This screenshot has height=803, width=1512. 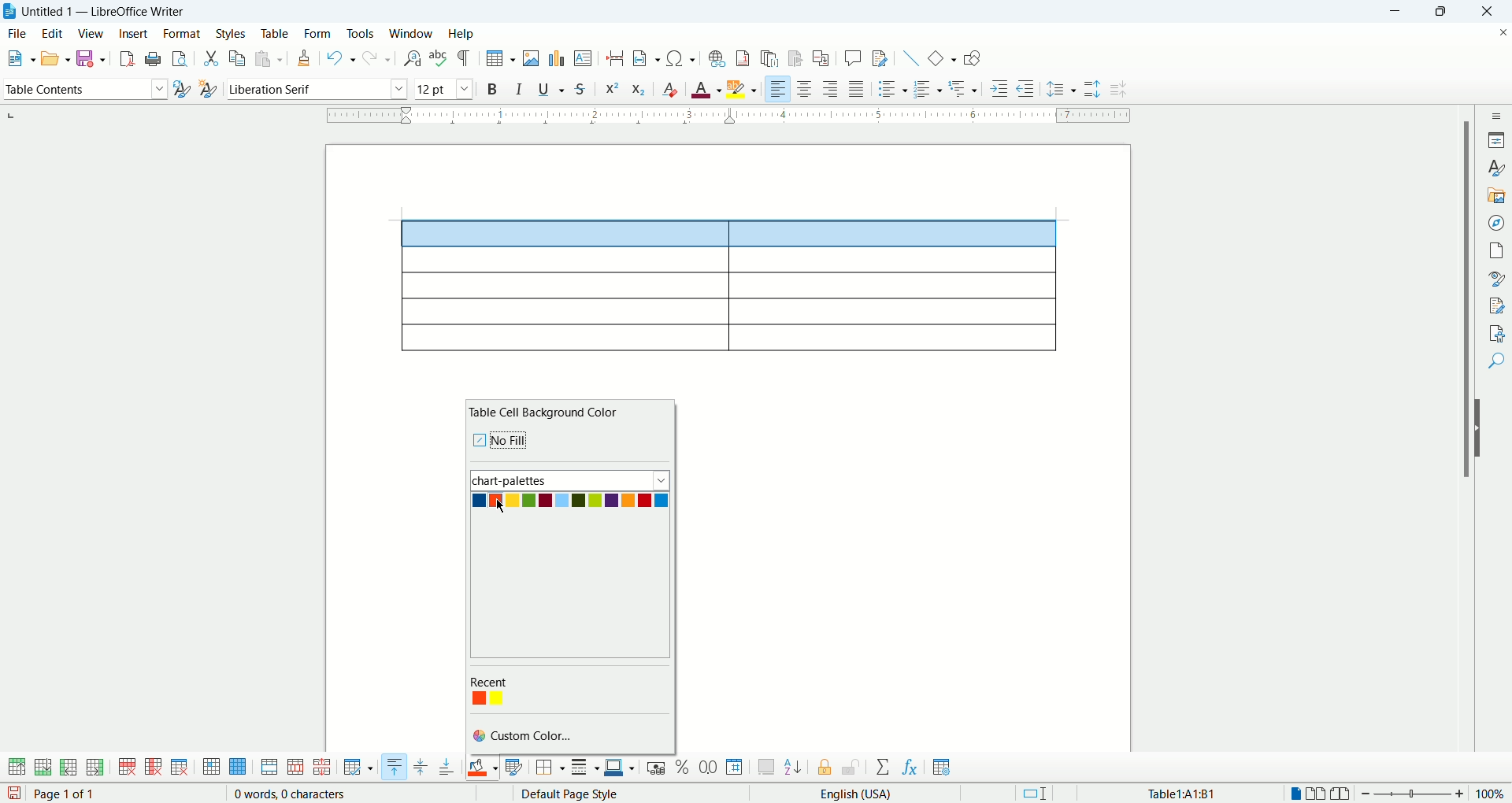 I want to click on insert cross references, so click(x=823, y=59).